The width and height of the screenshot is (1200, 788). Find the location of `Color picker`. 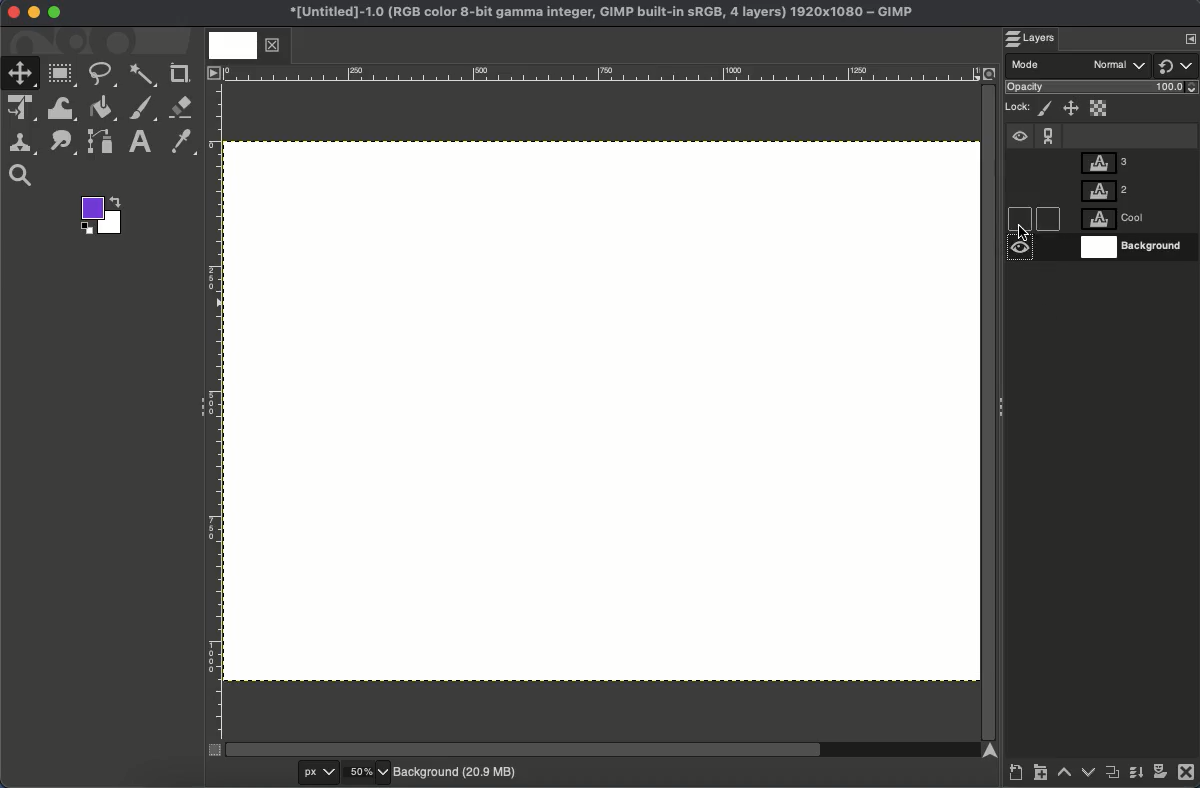

Color picker is located at coordinates (184, 143).